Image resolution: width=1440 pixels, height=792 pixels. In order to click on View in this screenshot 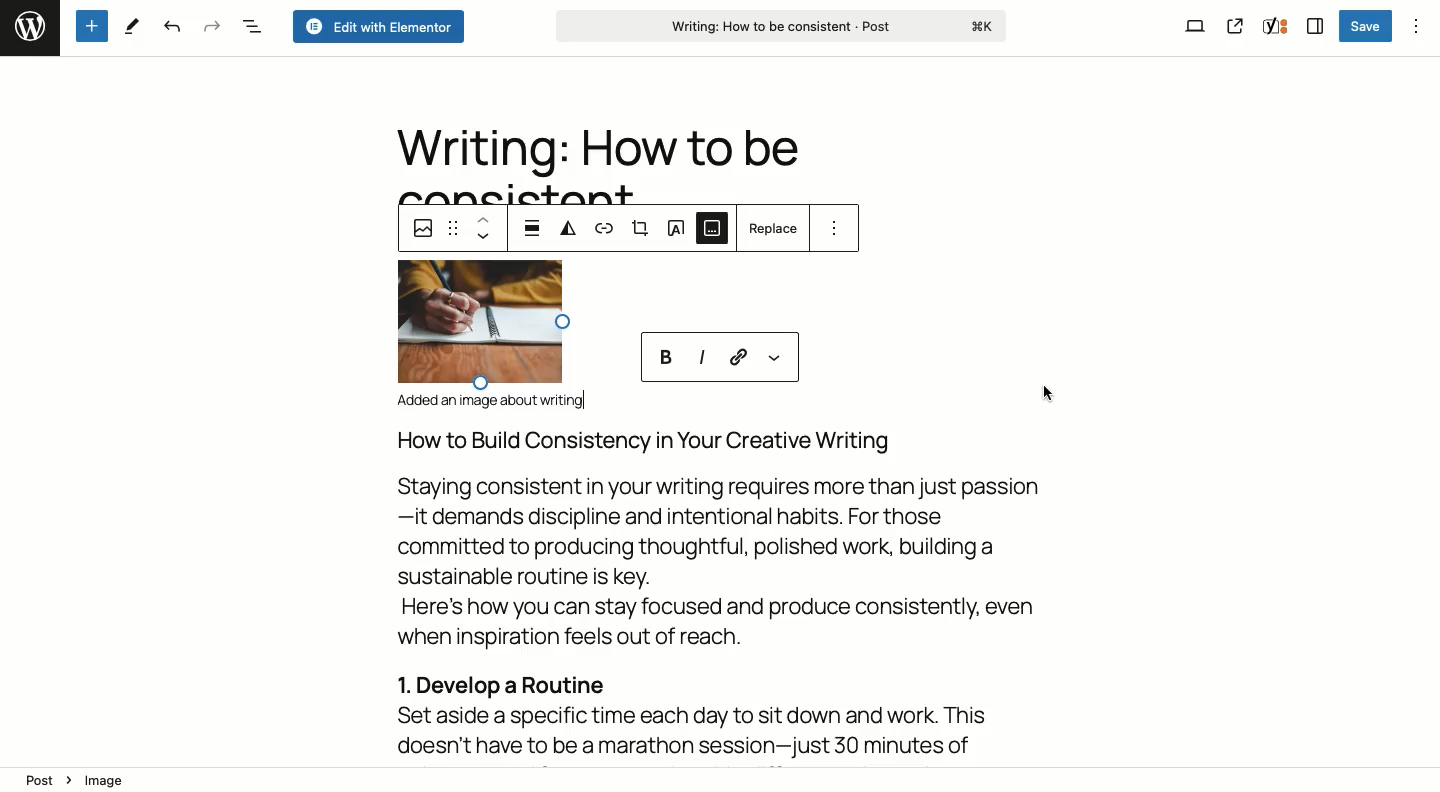, I will do `click(1195, 25)`.